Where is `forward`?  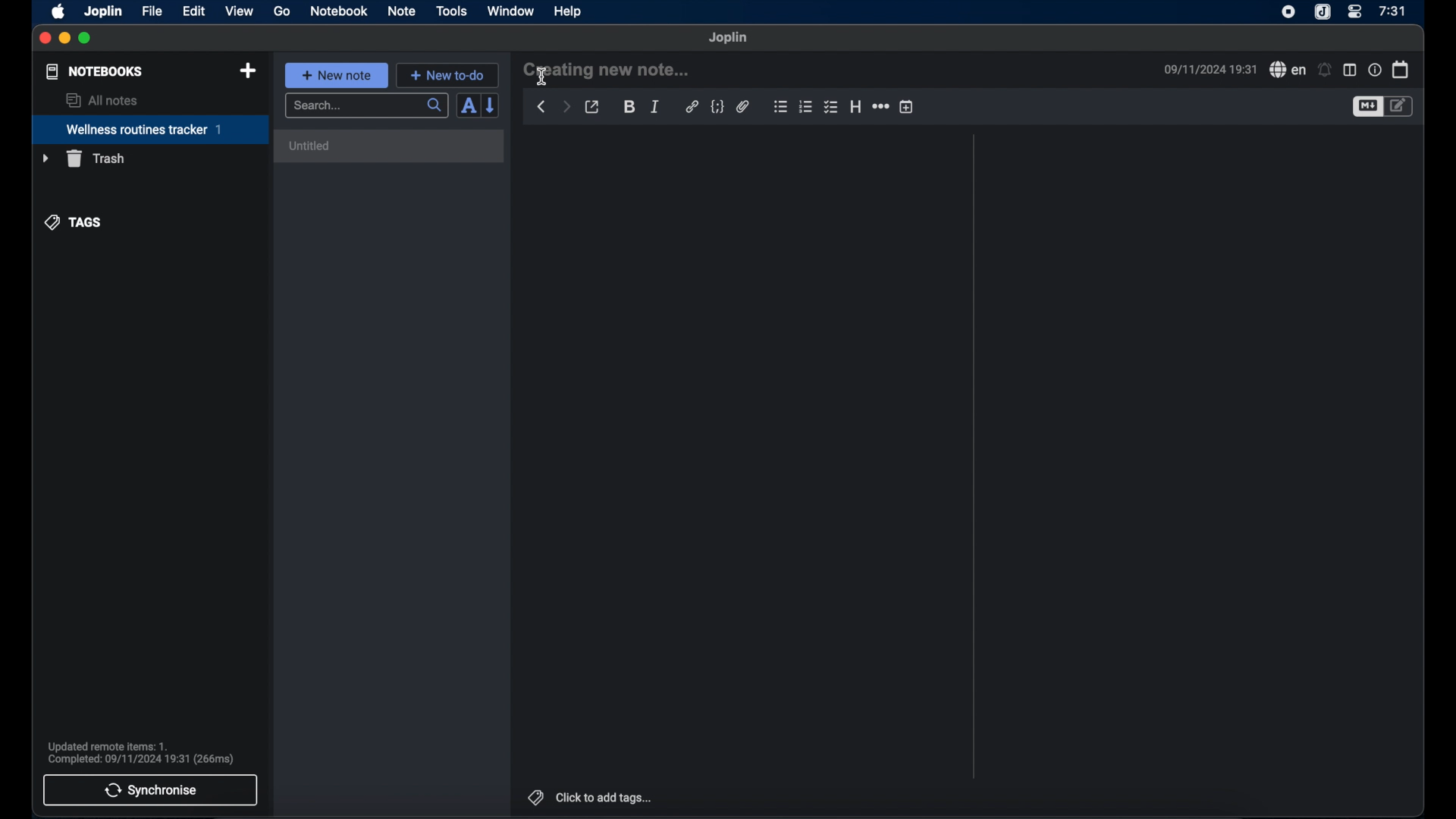 forward is located at coordinates (566, 106).